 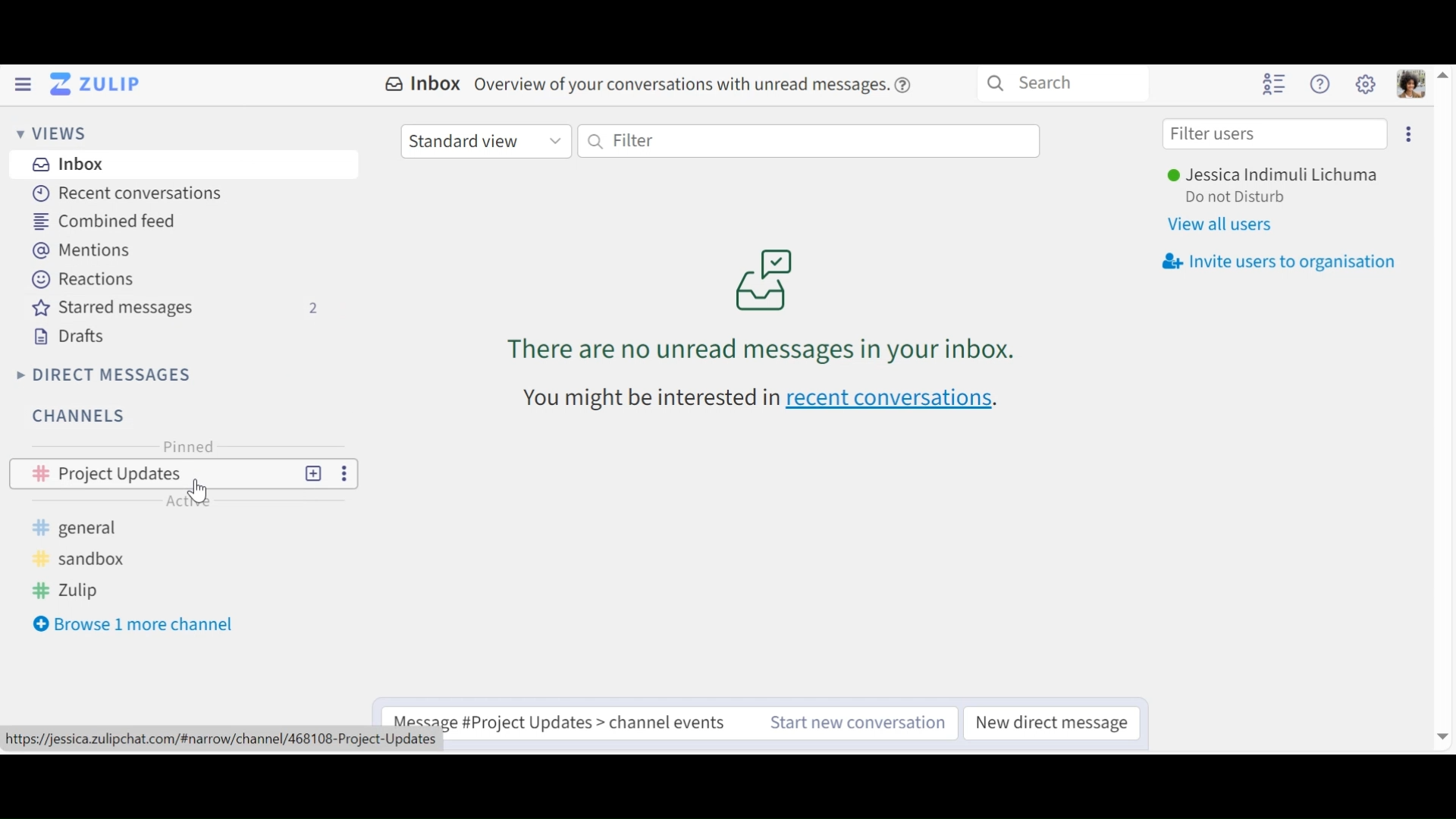 What do you see at coordinates (84, 418) in the screenshot?
I see `Channels` at bounding box center [84, 418].